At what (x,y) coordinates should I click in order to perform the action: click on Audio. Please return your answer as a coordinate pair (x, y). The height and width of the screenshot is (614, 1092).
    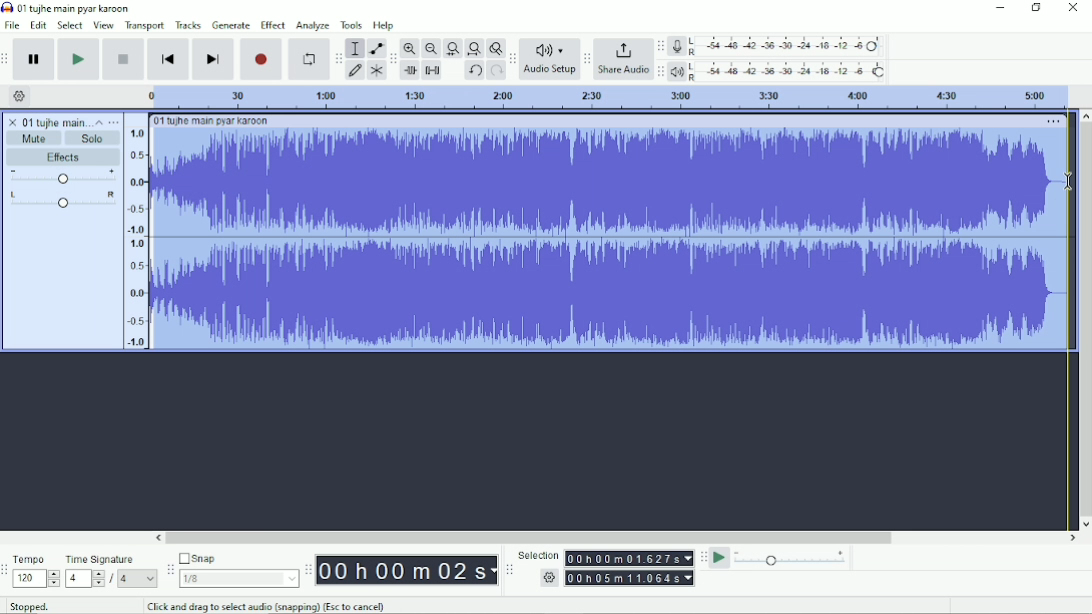
    Looking at the image, I should click on (612, 238).